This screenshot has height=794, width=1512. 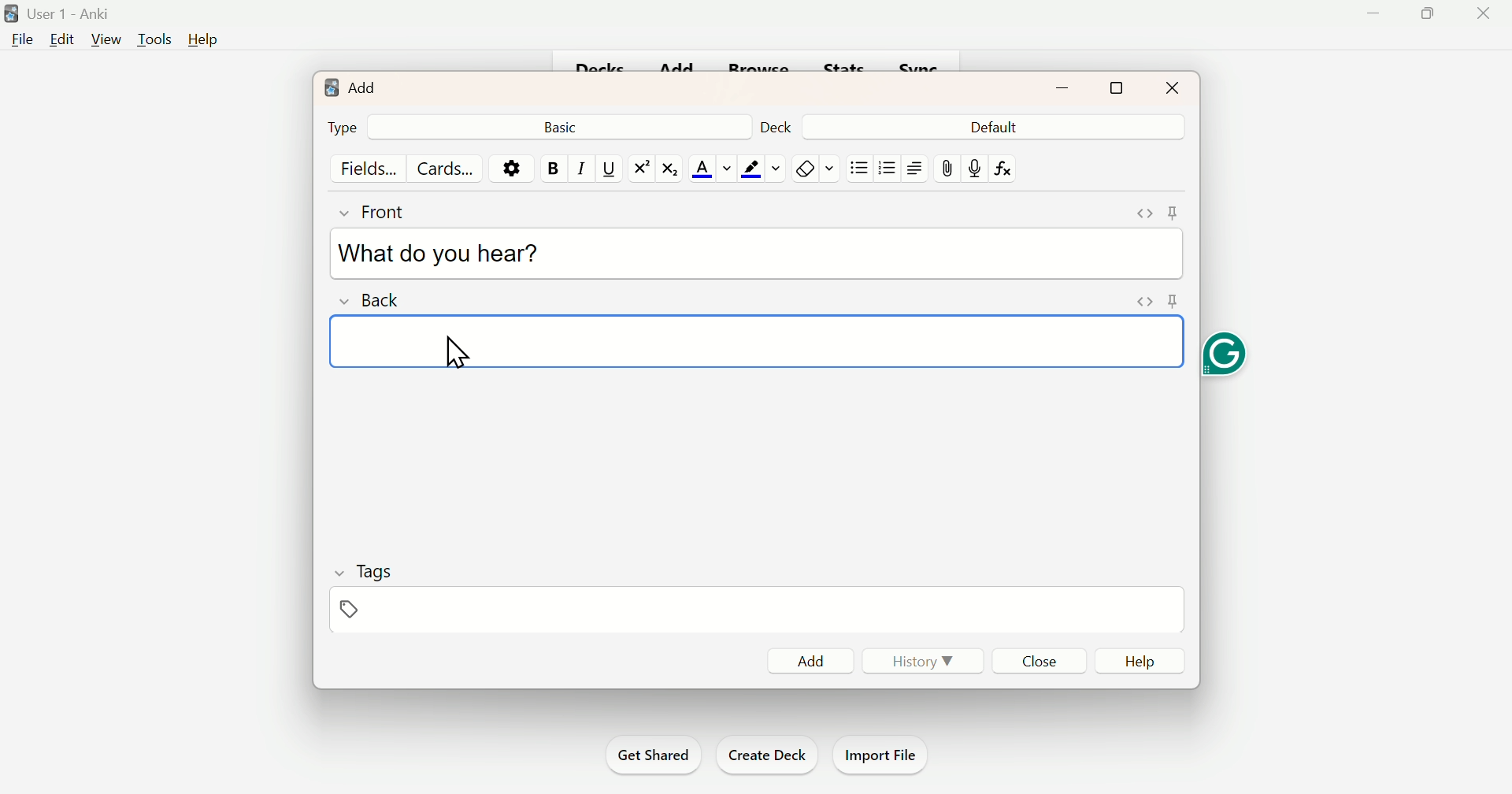 I want to click on Import File, so click(x=886, y=755).